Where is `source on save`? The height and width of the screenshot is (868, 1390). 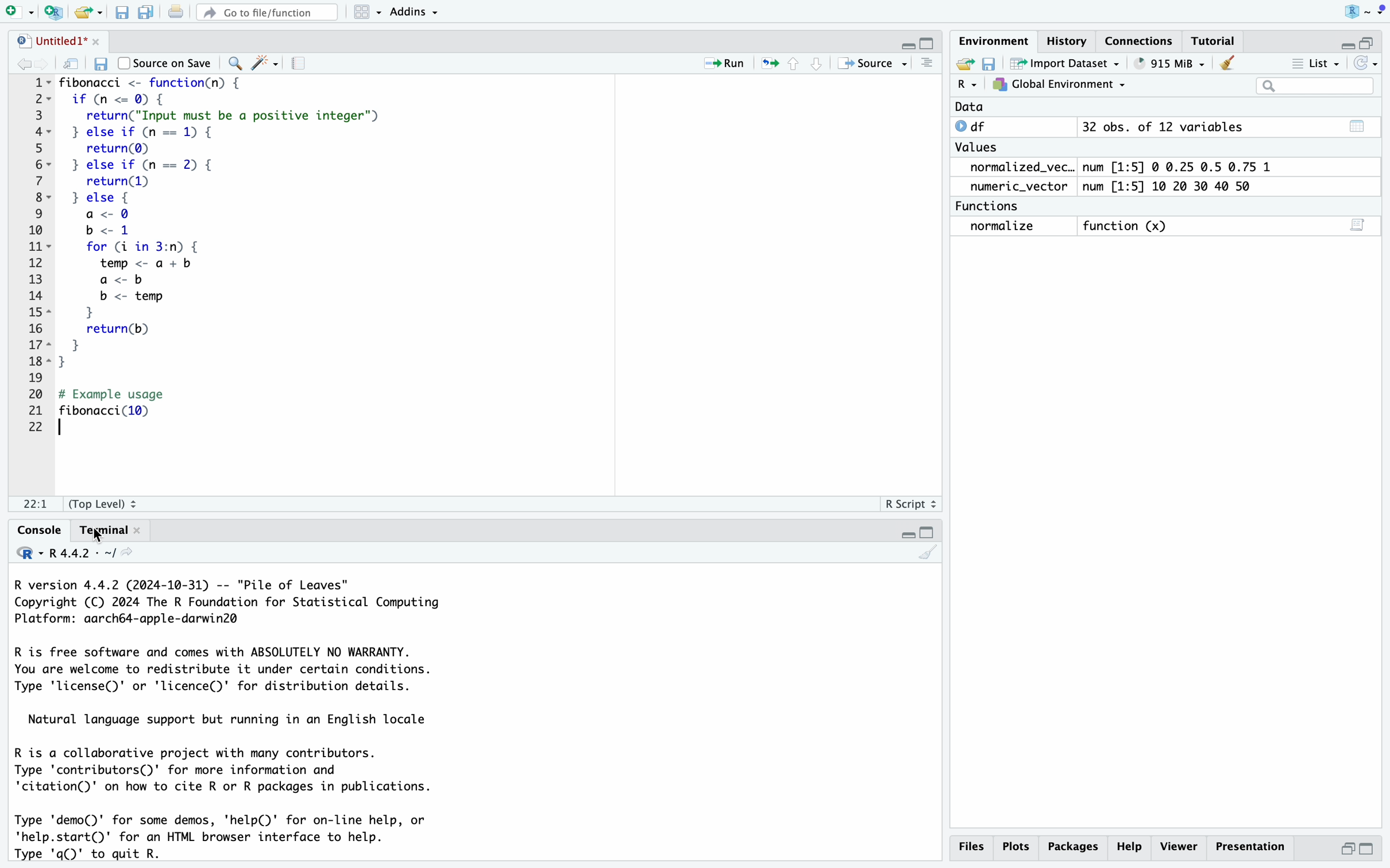
source on save is located at coordinates (164, 63).